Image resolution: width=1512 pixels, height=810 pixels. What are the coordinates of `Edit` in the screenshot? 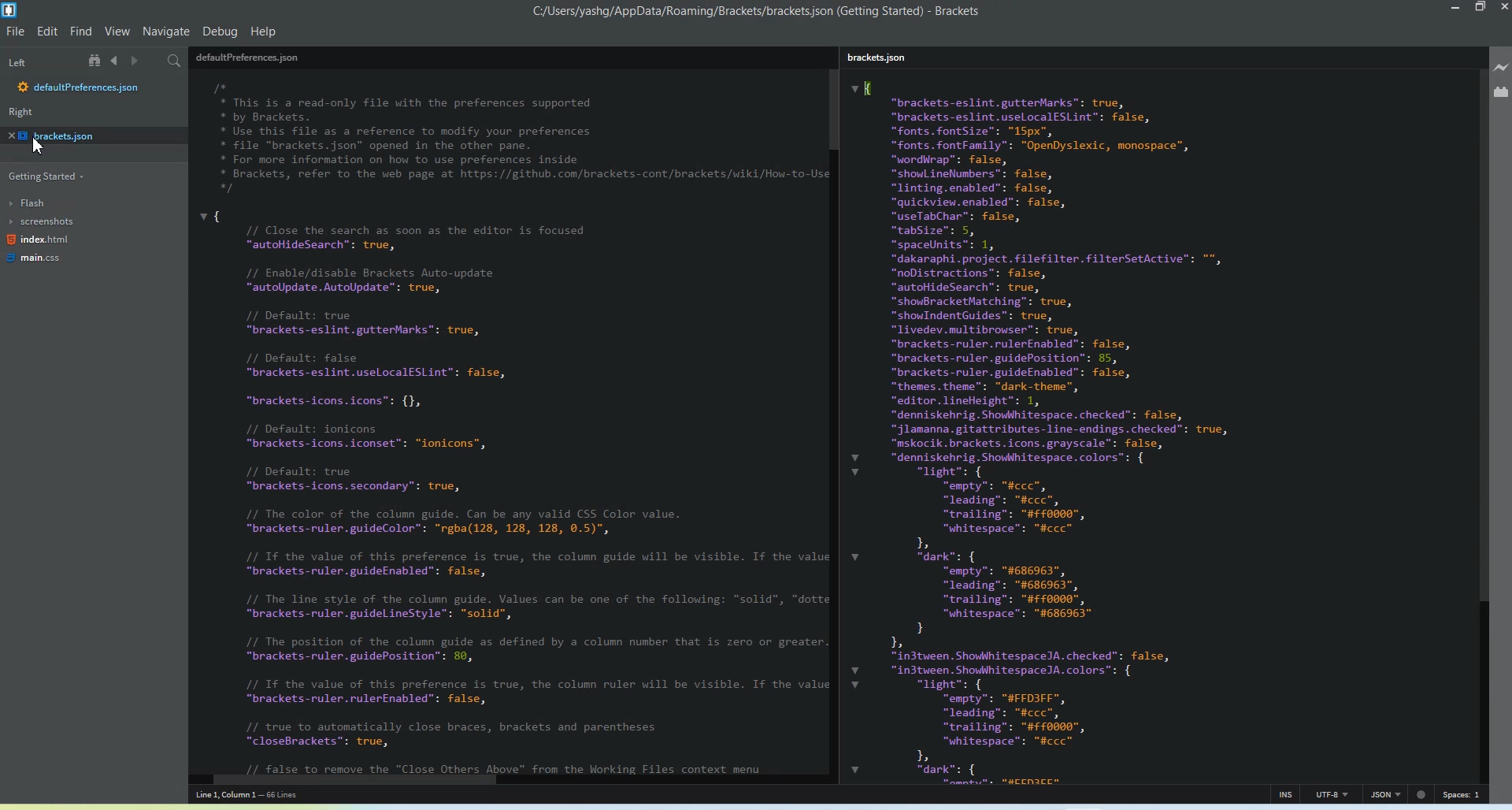 It's located at (49, 30).